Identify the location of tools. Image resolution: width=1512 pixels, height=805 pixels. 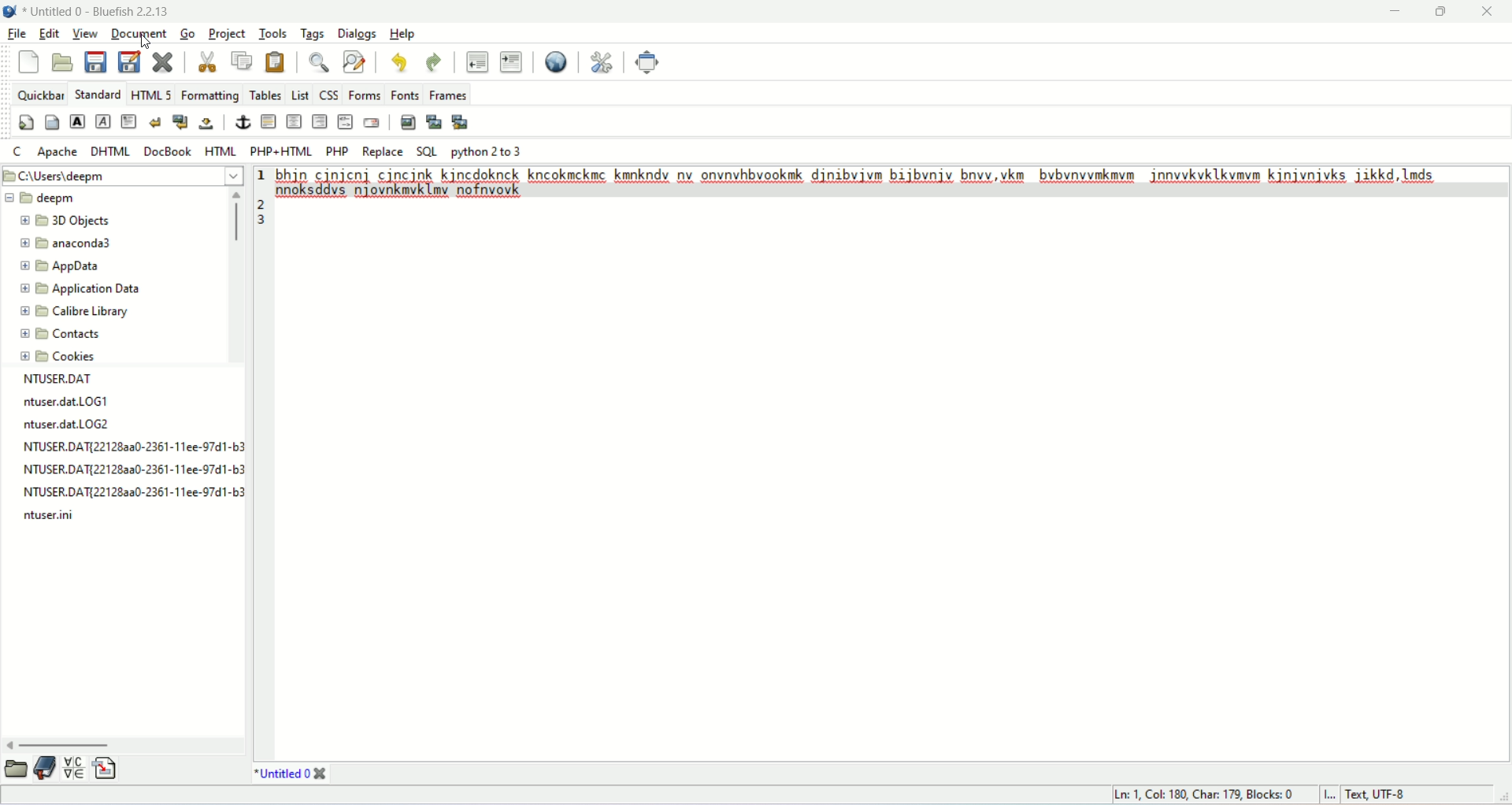
(272, 32).